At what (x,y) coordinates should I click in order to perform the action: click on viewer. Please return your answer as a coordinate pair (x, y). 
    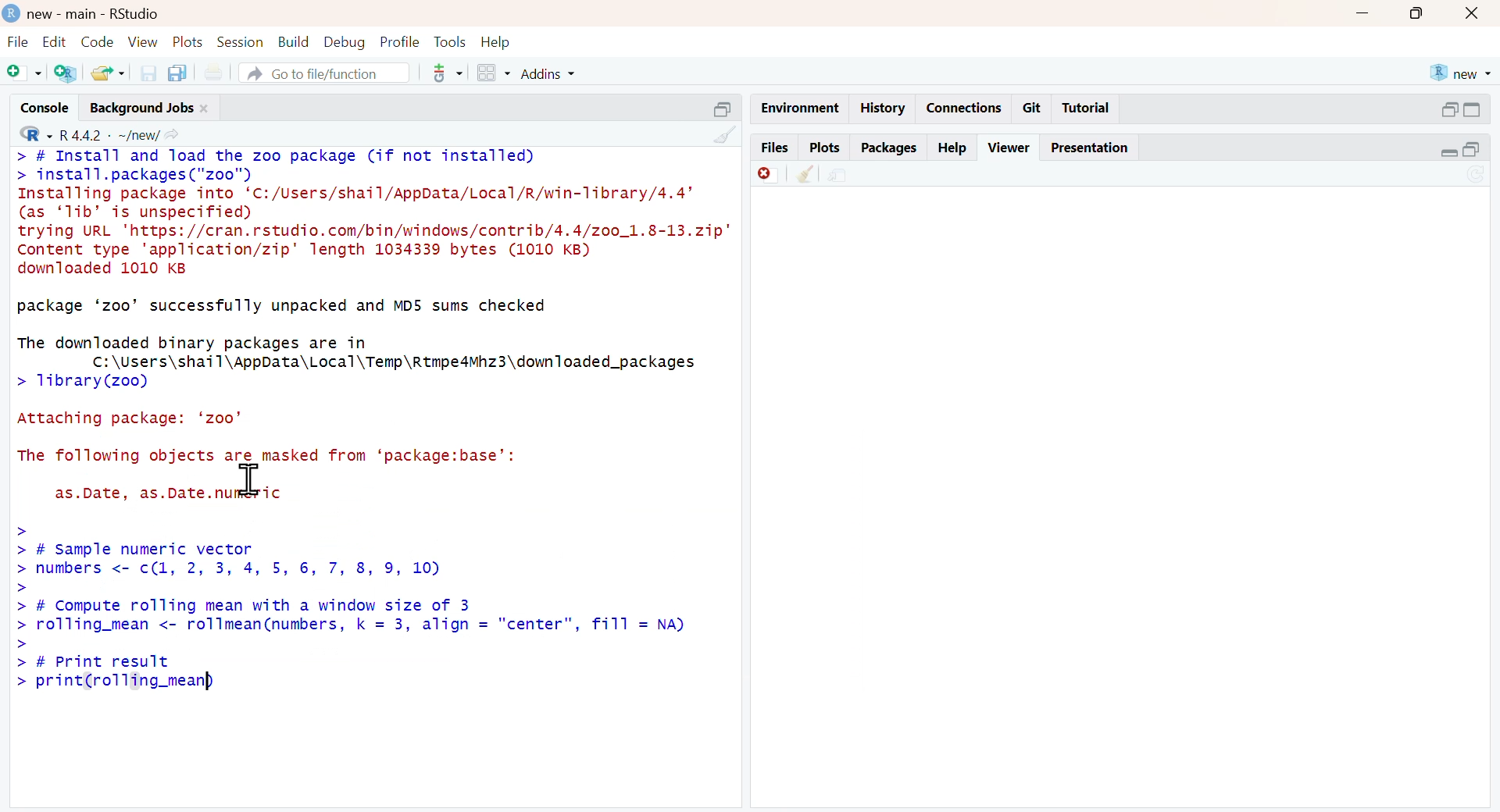
    Looking at the image, I should click on (1011, 148).